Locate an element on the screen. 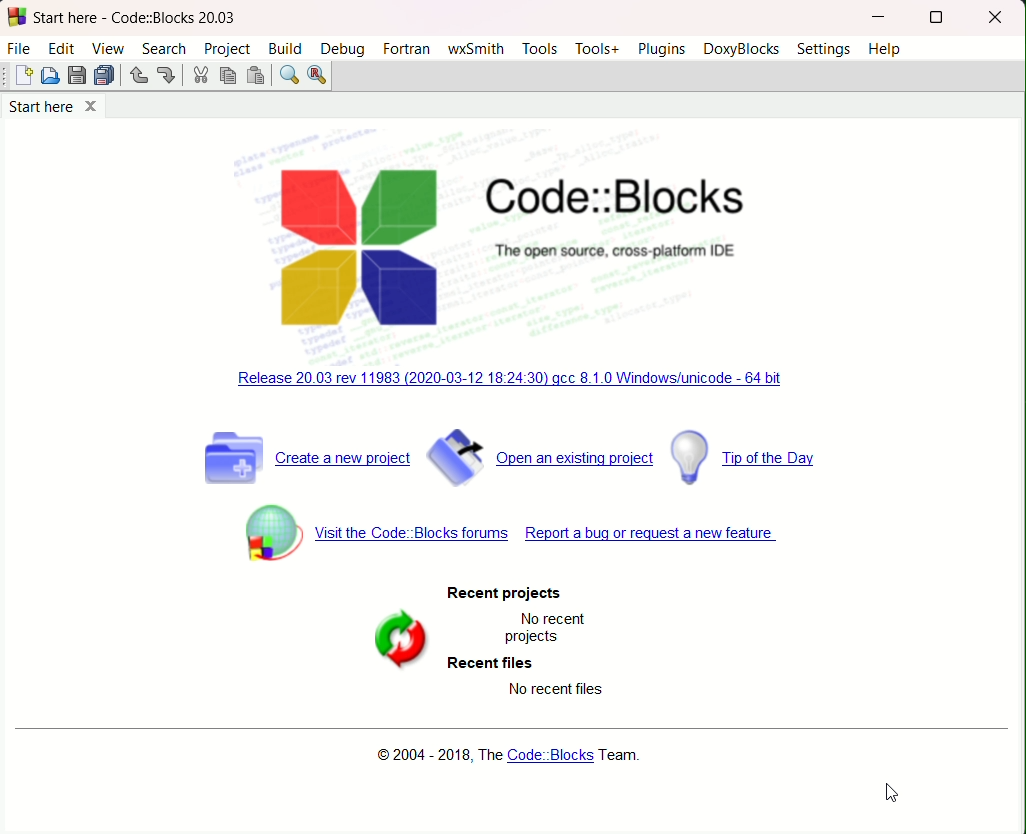 The width and height of the screenshot is (1026, 834). view is located at coordinates (108, 49).